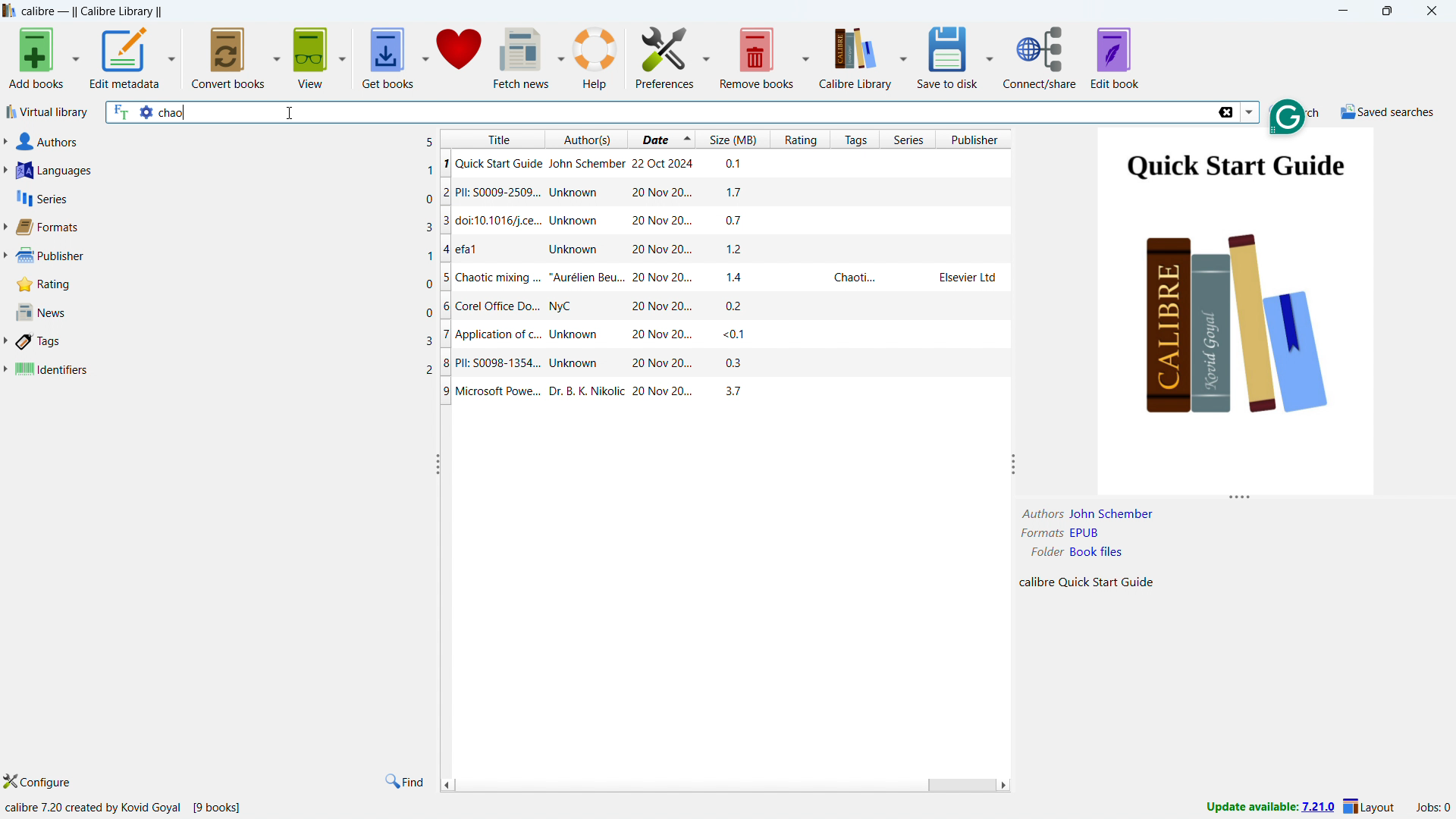 The width and height of the screenshot is (1456, 819). Describe the element at coordinates (715, 366) in the screenshot. I see `PII: S0098-1354...` at that location.